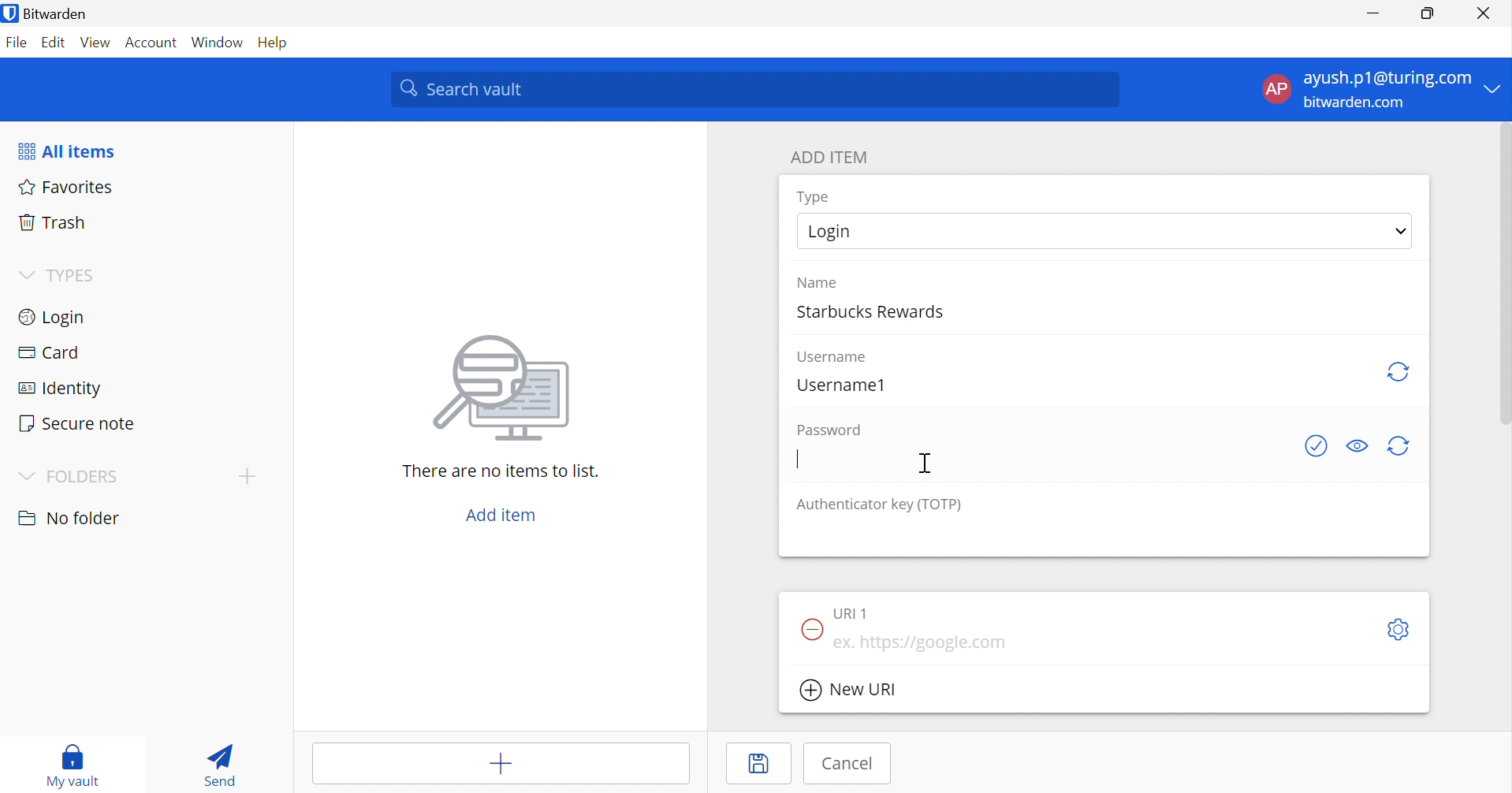  I want to click on Authenticator key (TOTP), so click(878, 505).